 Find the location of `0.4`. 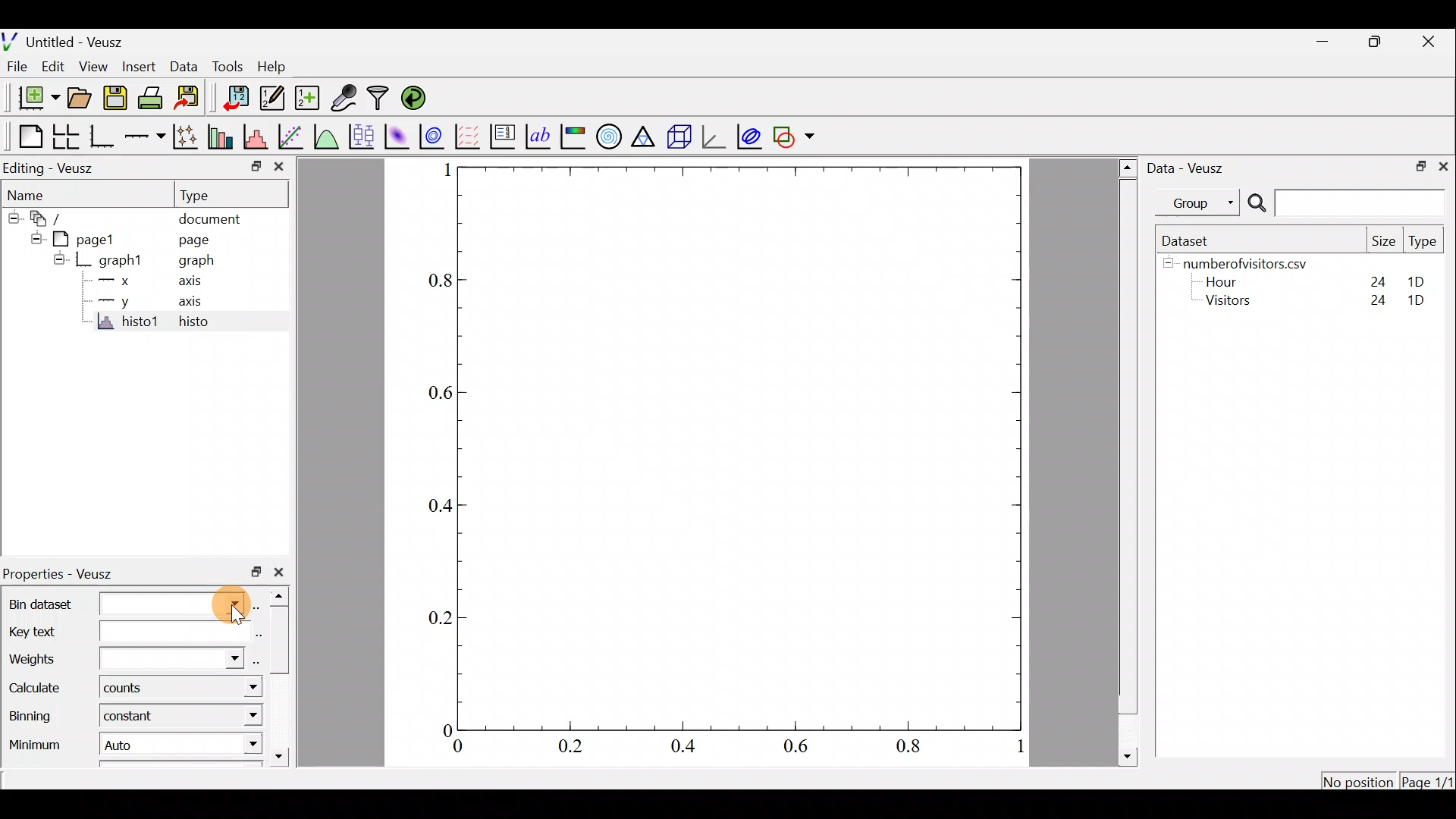

0.4 is located at coordinates (442, 502).